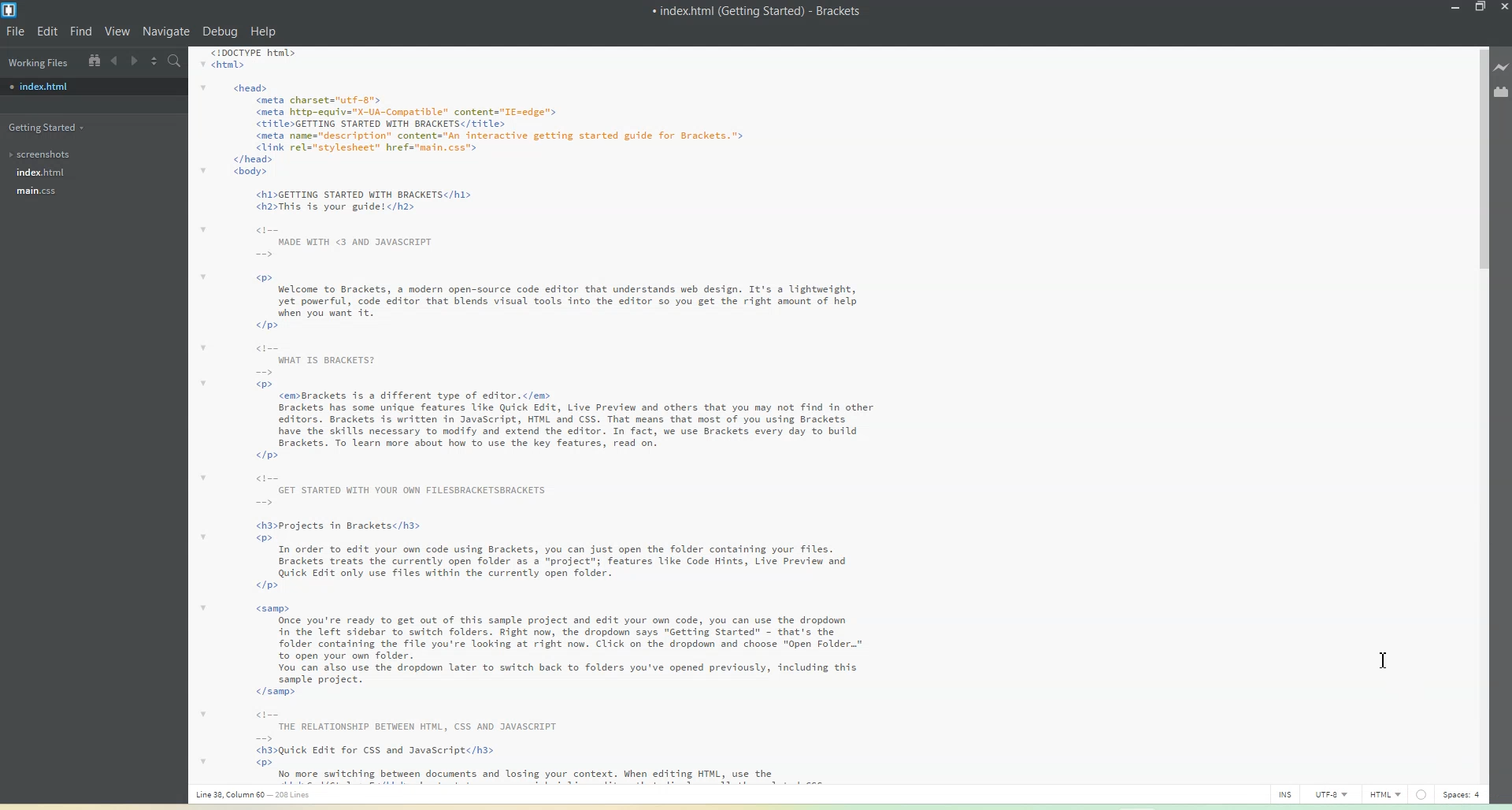 The width and height of the screenshot is (1512, 810). I want to click on Text Cursor, so click(1383, 660).